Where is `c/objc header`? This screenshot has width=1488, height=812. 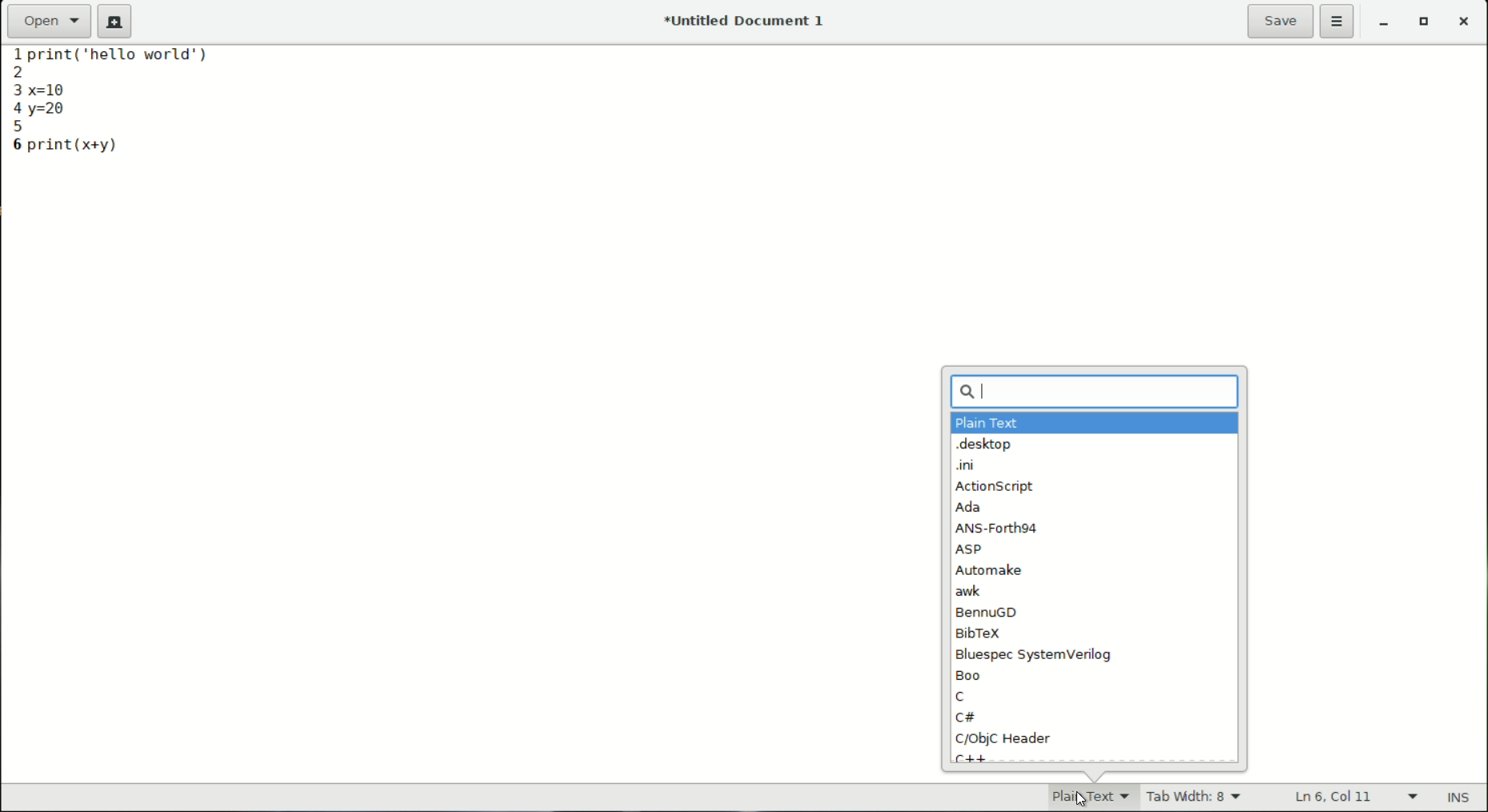 c/objc header is located at coordinates (1004, 740).